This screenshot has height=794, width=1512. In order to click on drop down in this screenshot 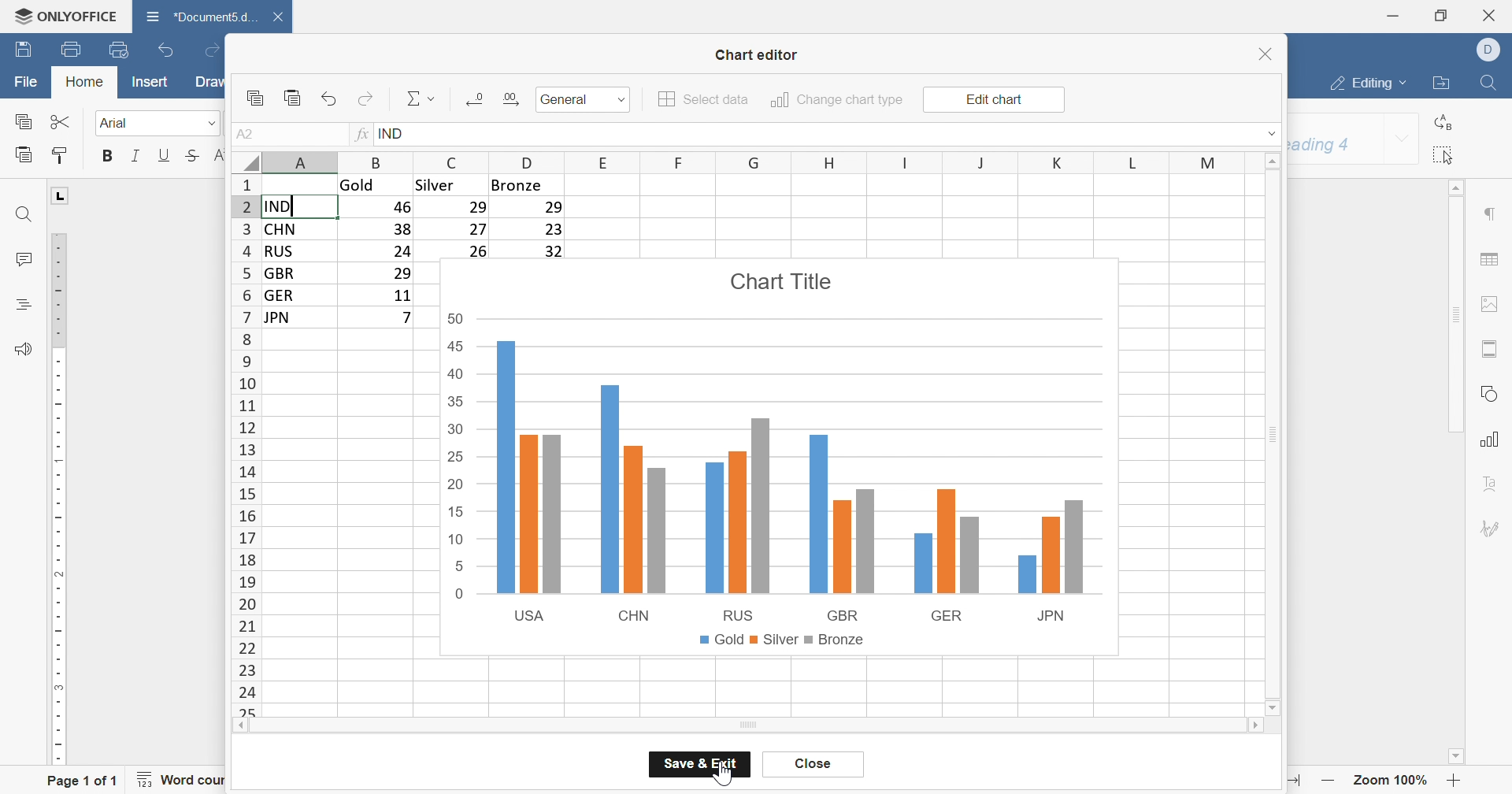, I will do `click(211, 124)`.